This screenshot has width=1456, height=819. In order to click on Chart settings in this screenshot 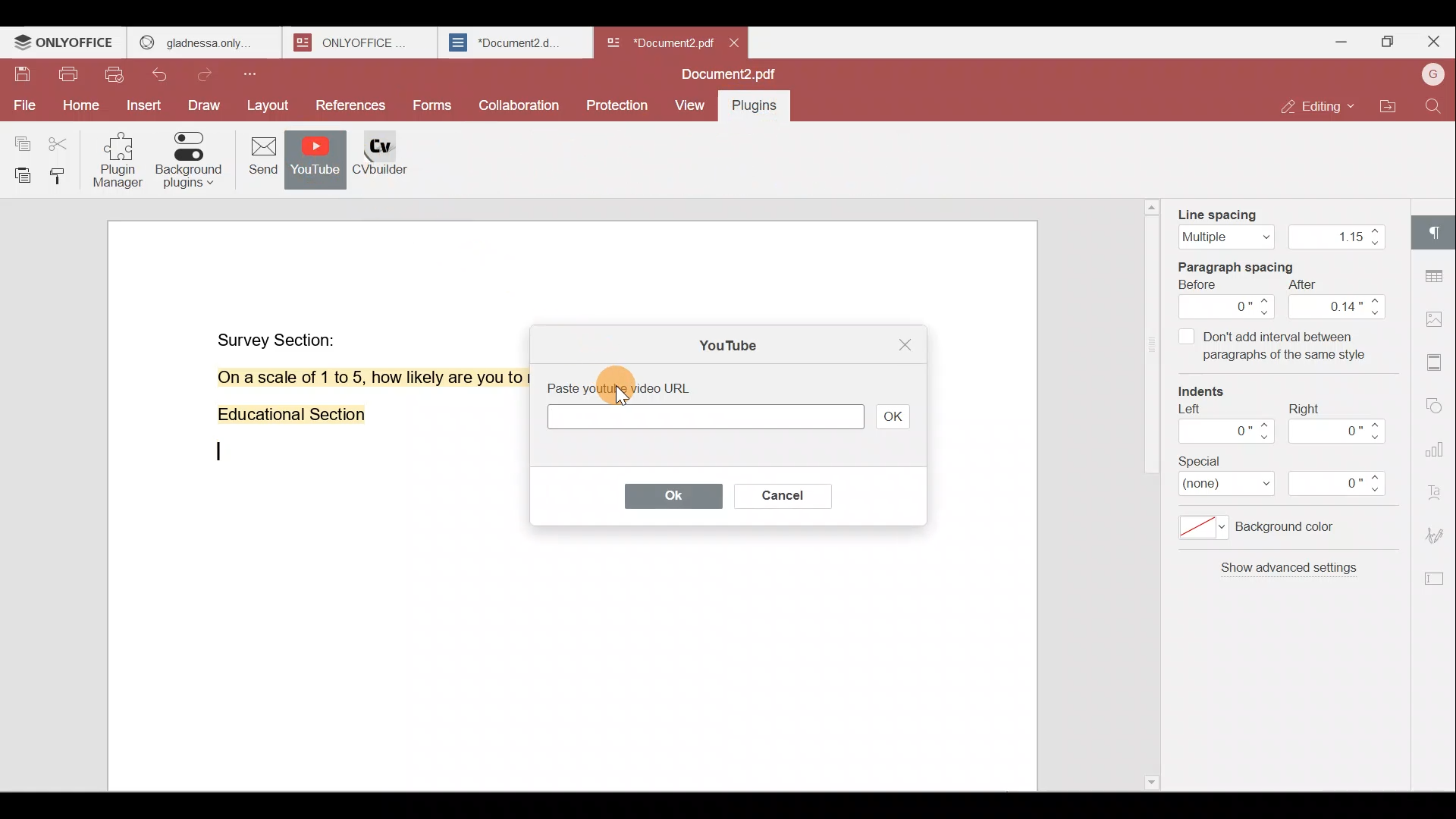, I will do `click(1439, 441)`.